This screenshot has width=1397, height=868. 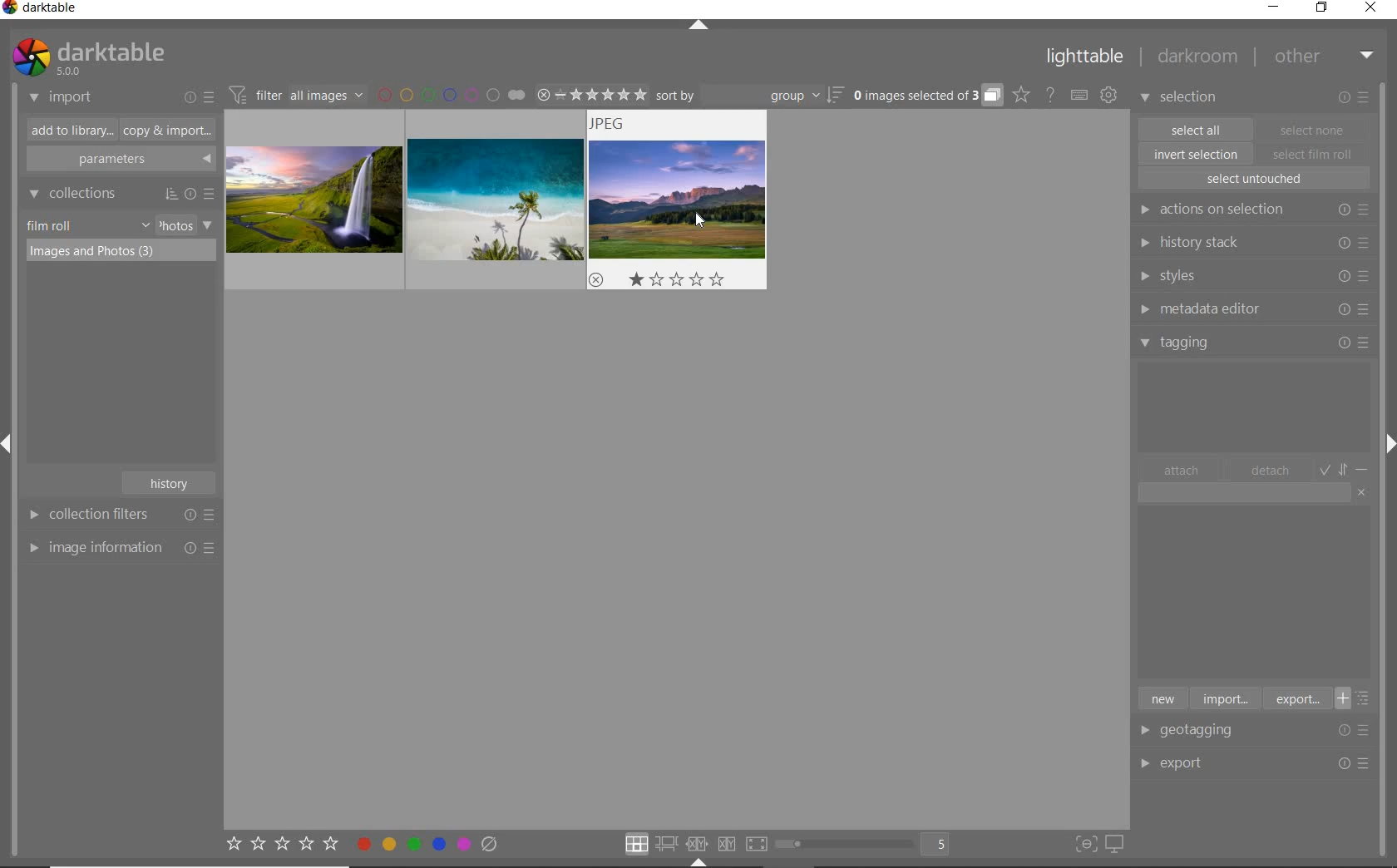 I want to click on collection filters, so click(x=119, y=514).